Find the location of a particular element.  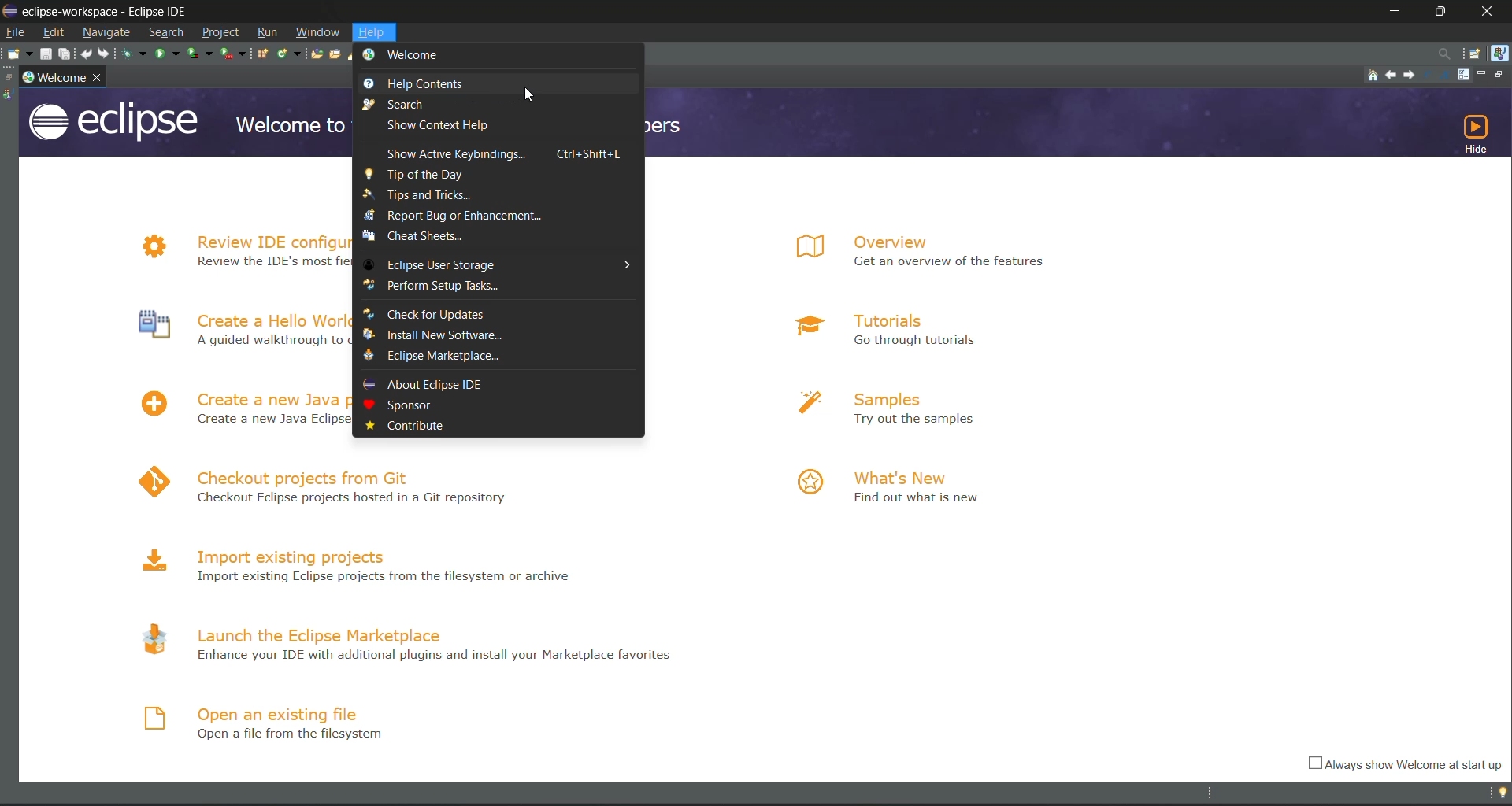

Try out the samples is located at coordinates (904, 420).